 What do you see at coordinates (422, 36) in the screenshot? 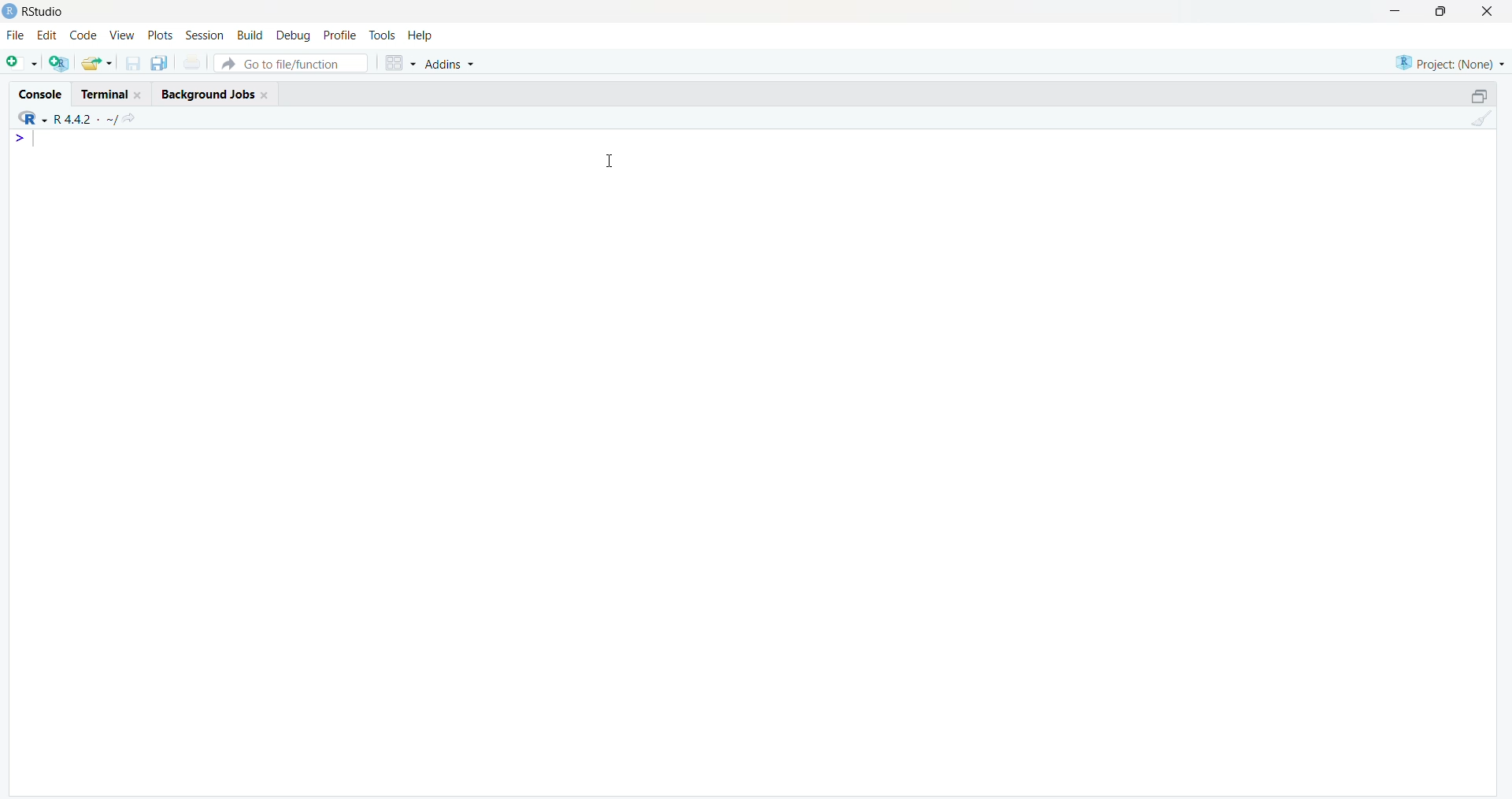
I see `help` at bounding box center [422, 36].